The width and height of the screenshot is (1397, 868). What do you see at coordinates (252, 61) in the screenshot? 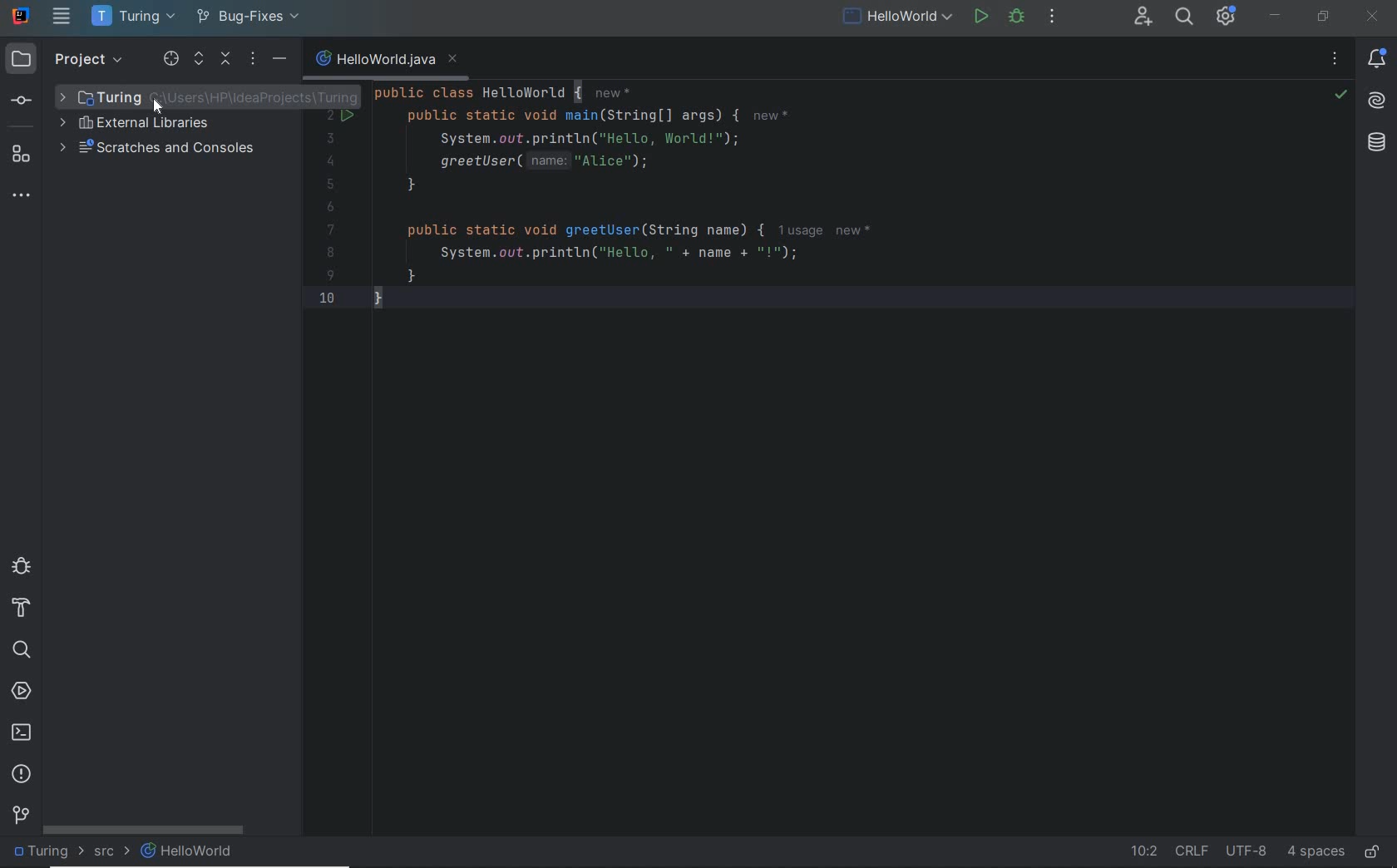
I see `options` at bounding box center [252, 61].